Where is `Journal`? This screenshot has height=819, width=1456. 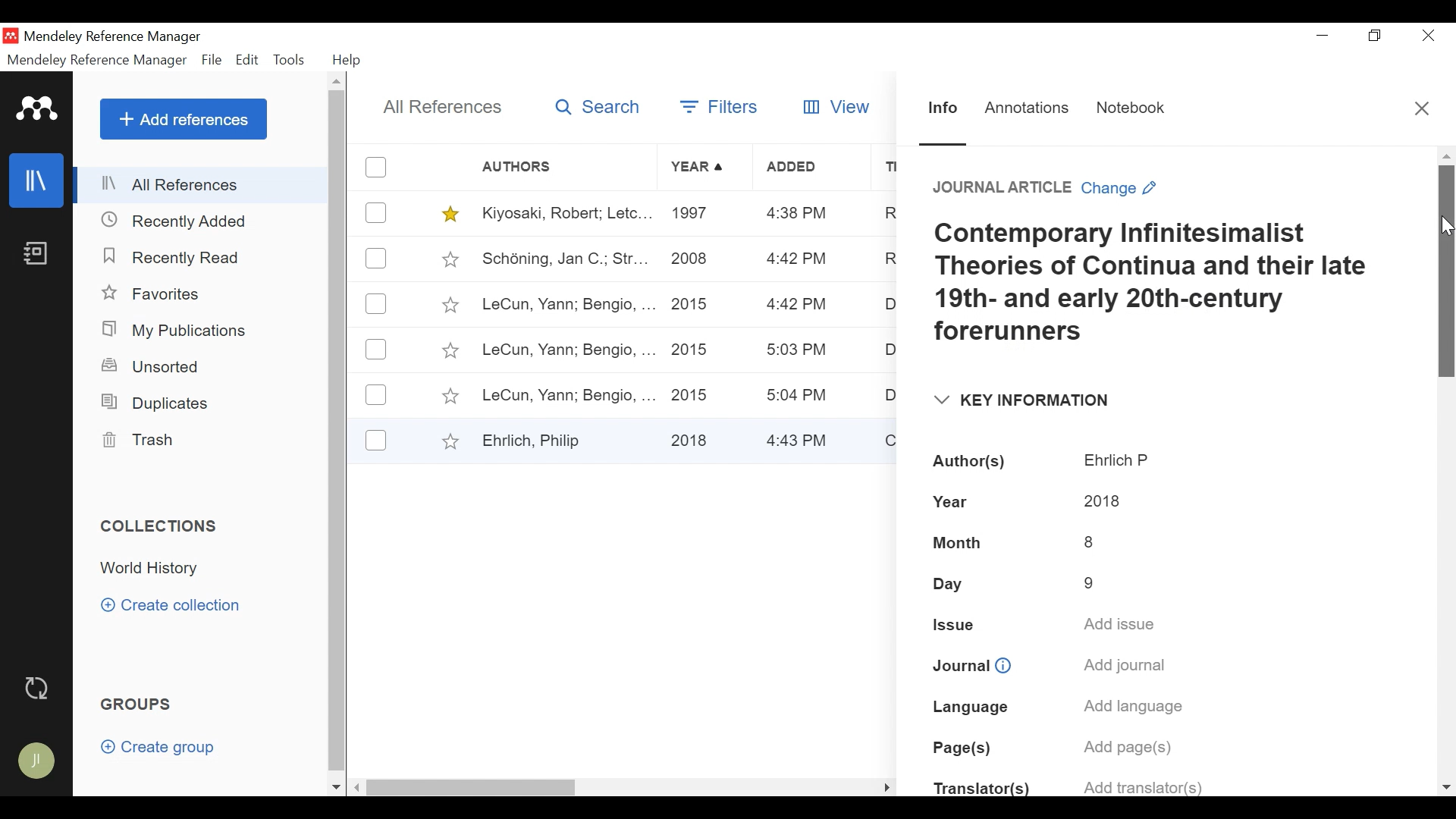 Journal is located at coordinates (958, 663).